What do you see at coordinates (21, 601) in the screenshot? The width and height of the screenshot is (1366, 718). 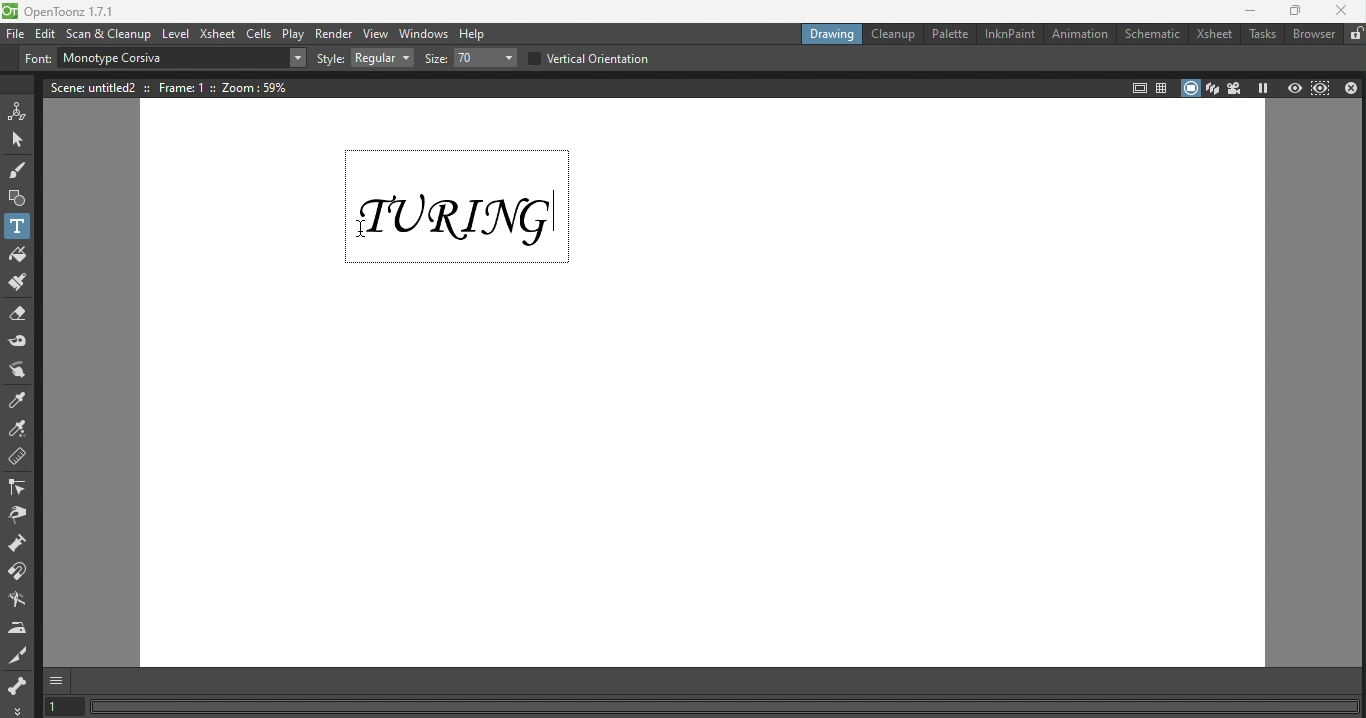 I see `Blender tool` at bounding box center [21, 601].